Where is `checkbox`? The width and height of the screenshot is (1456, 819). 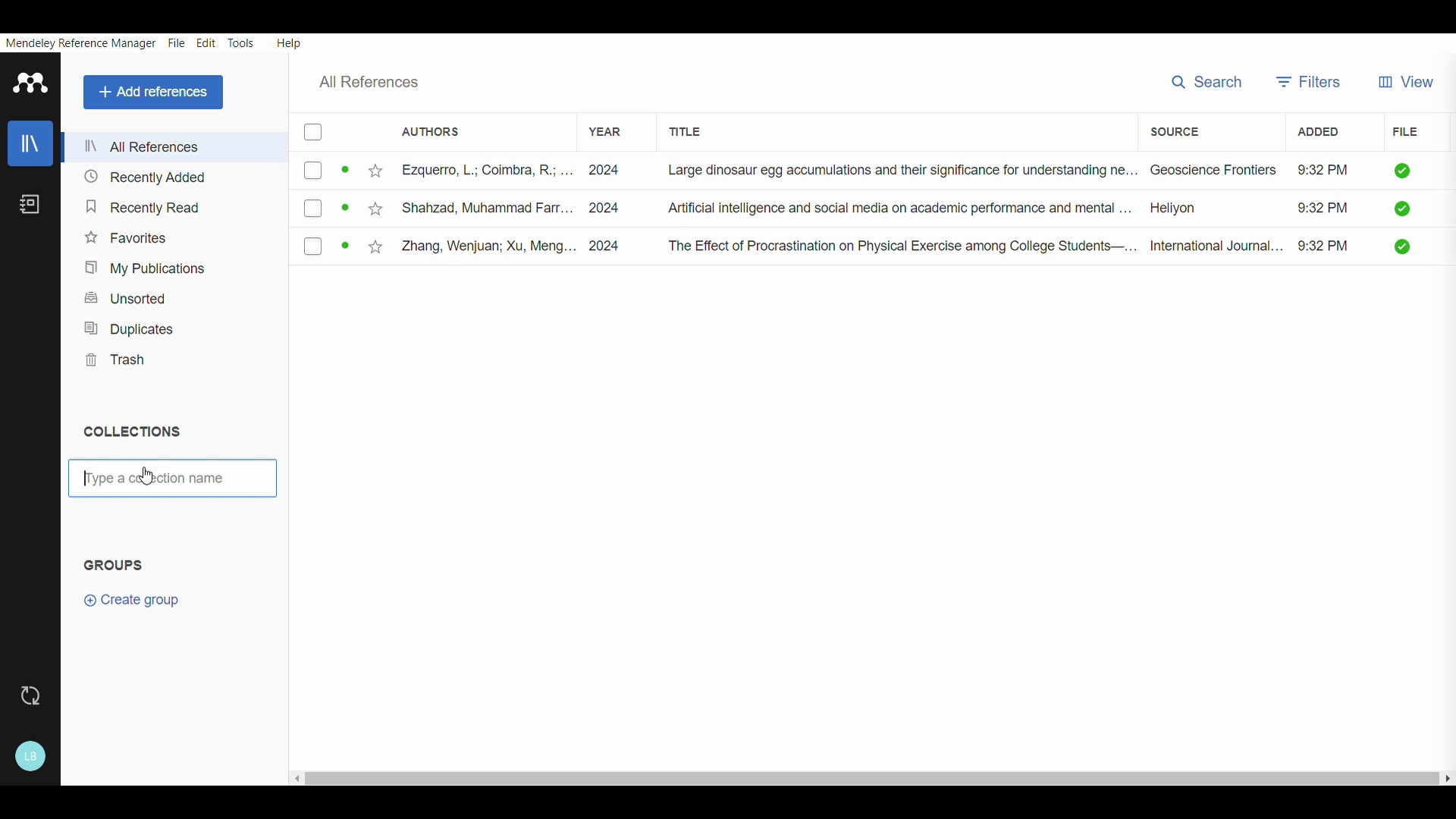 checkbox is located at coordinates (317, 133).